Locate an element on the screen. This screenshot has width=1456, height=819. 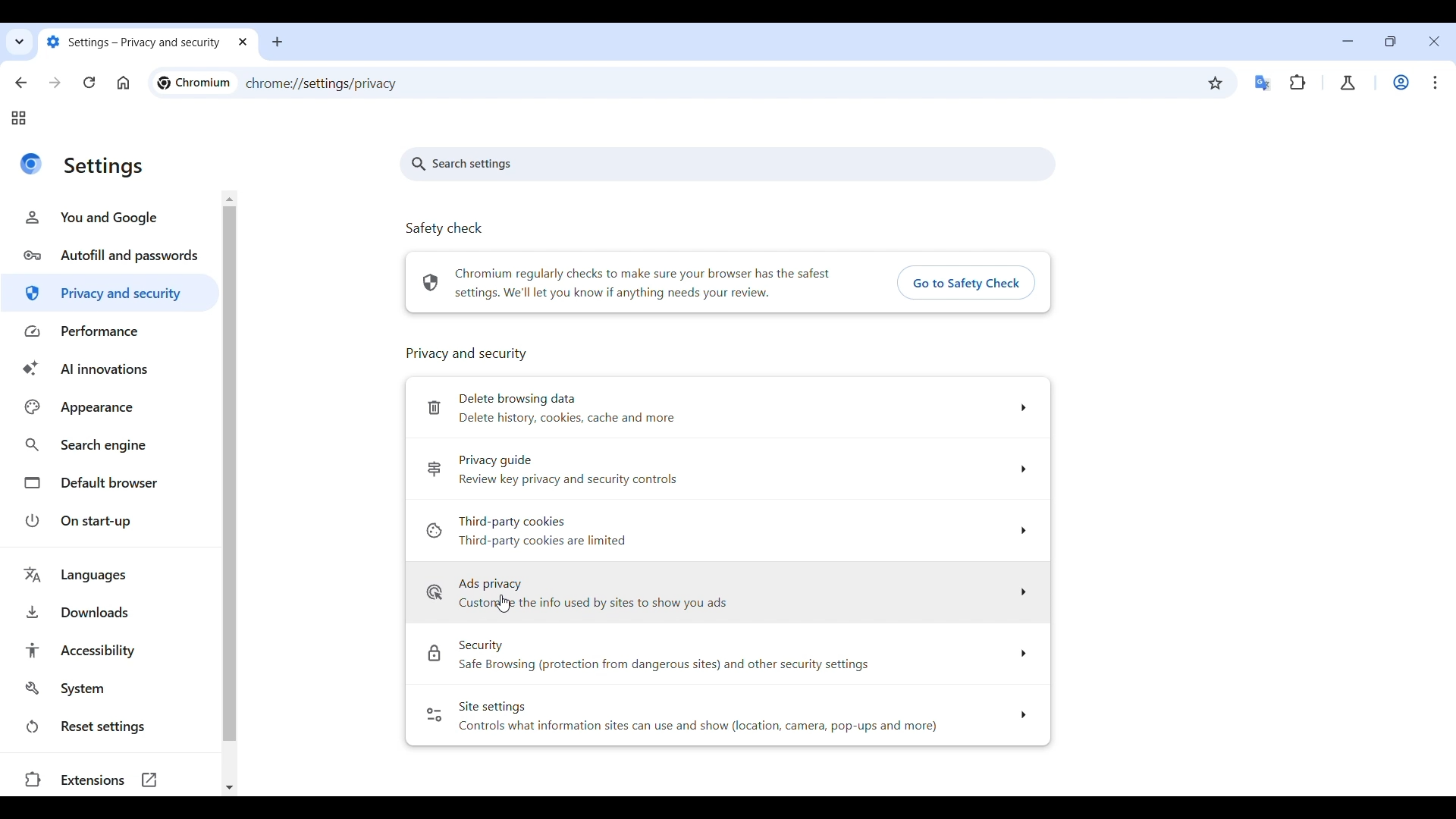
Tab name changed is located at coordinates (147, 43).